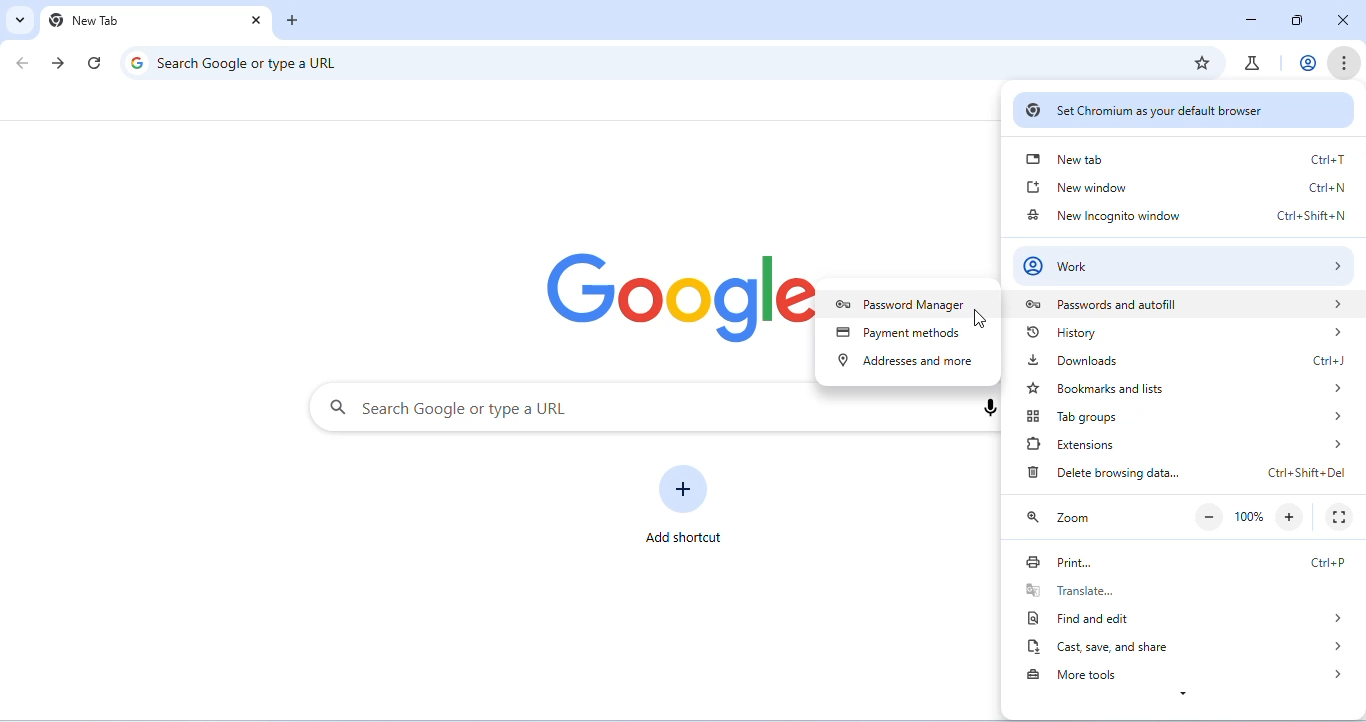 This screenshot has width=1366, height=722. I want to click on tab groups, so click(1192, 415).